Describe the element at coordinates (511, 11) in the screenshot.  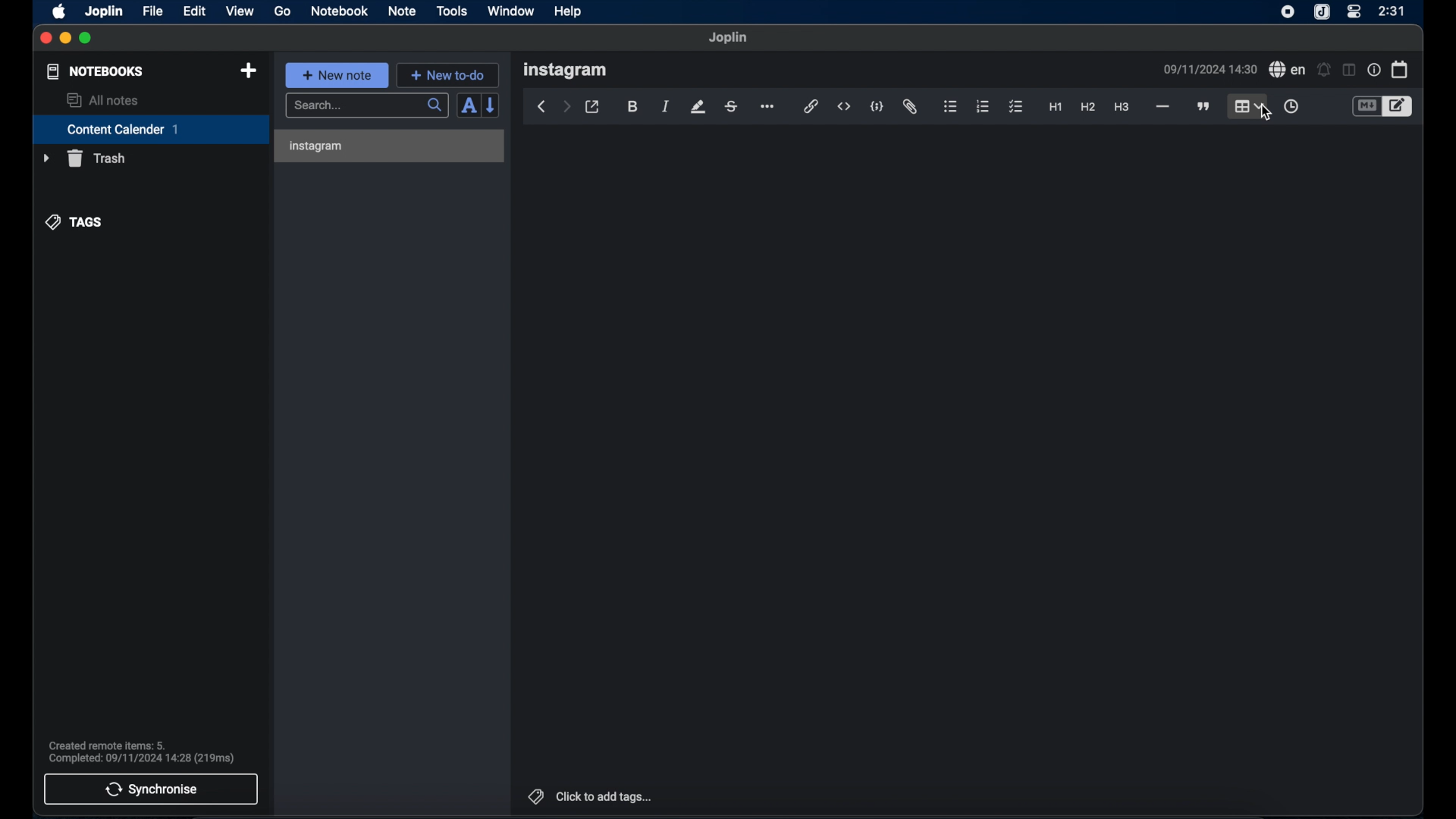
I see `window` at that location.